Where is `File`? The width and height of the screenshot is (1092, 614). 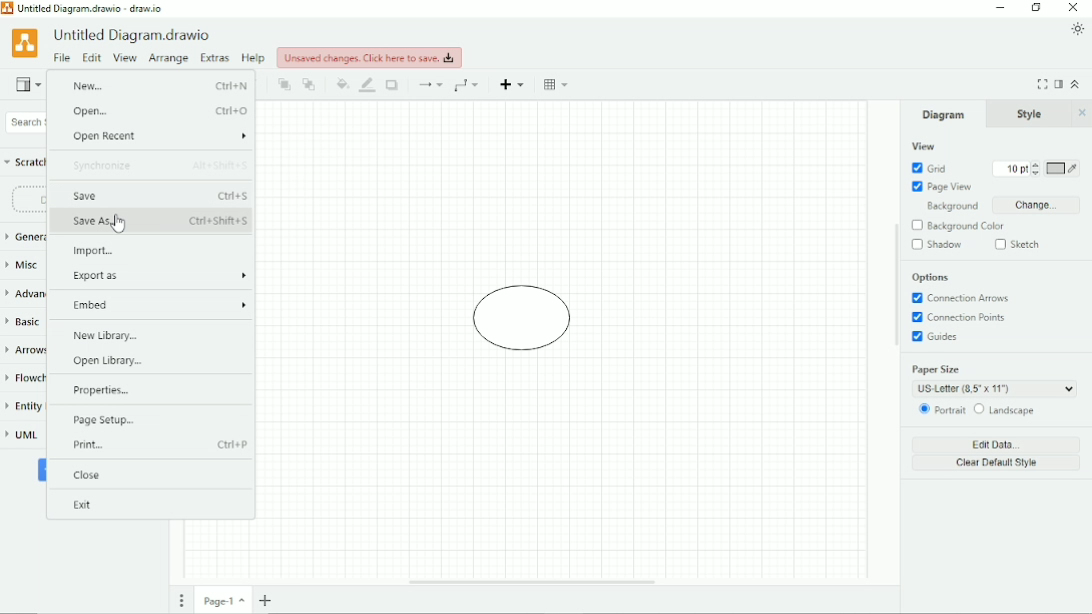 File is located at coordinates (63, 57).